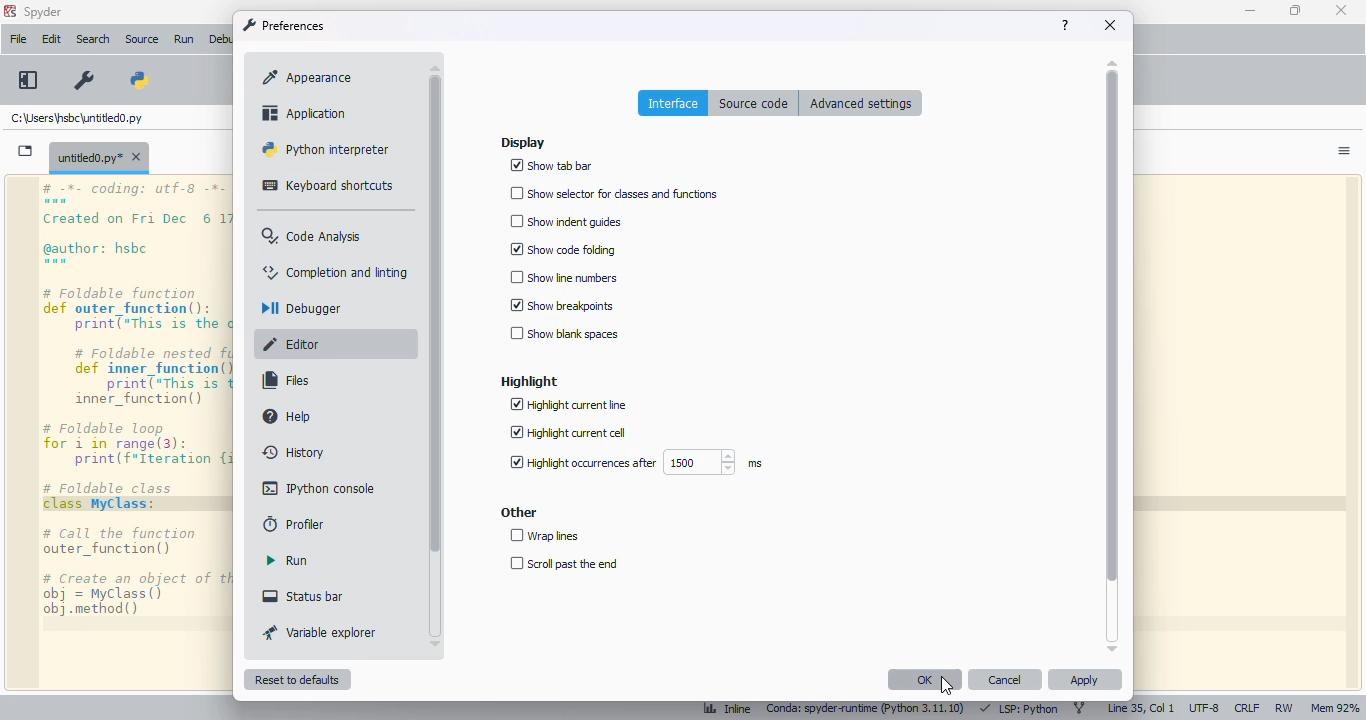 This screenshot has width=1366, height=720. I want to click on conda: spyder-runtime (python 3. 11. 10), so click(863, 710).